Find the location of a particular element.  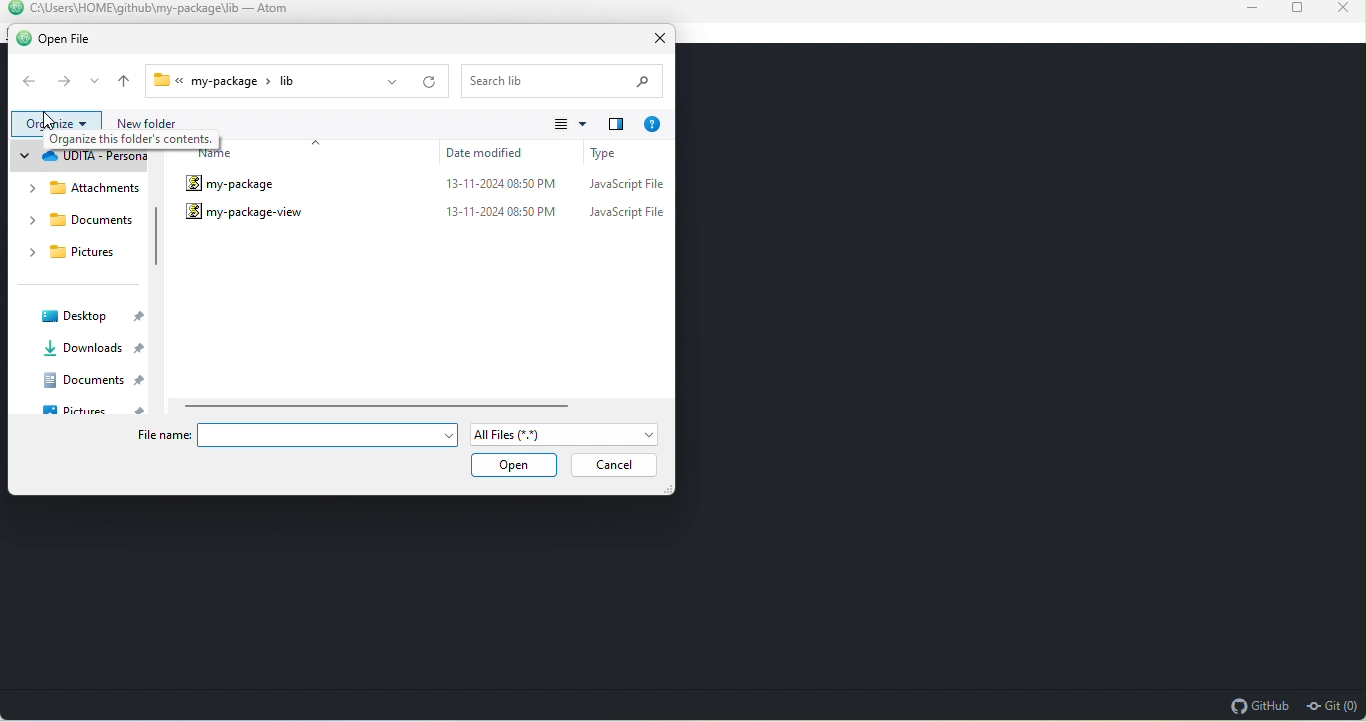

close is located at coordinates (1340, 11).